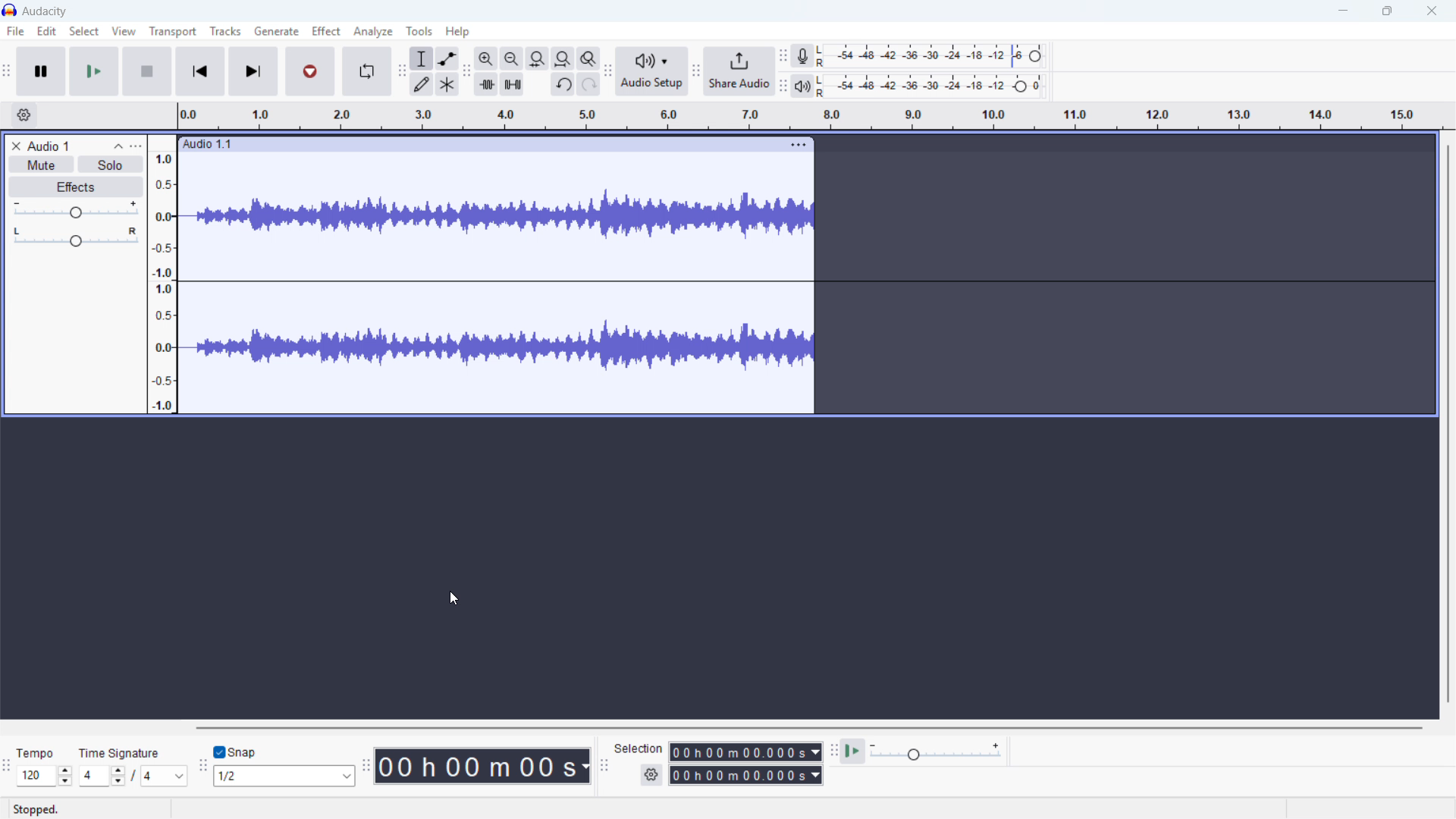 Image resolution: width=1456 pixels, height=819 pixels. Describe the element at coordinates (499, 347) in the screenshot. I see `Track waveform` at that location.